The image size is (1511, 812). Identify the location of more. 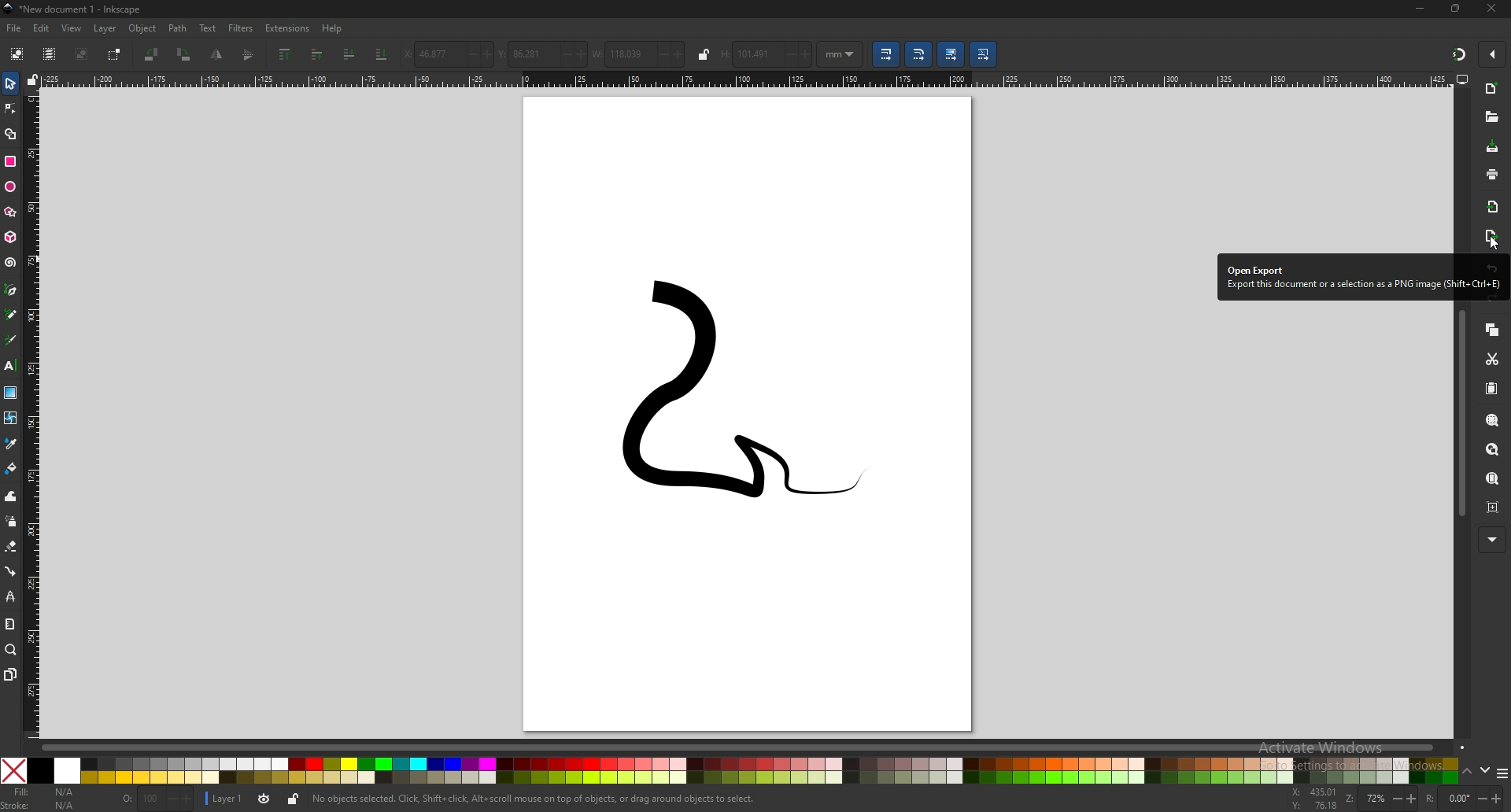
(1491, 540).